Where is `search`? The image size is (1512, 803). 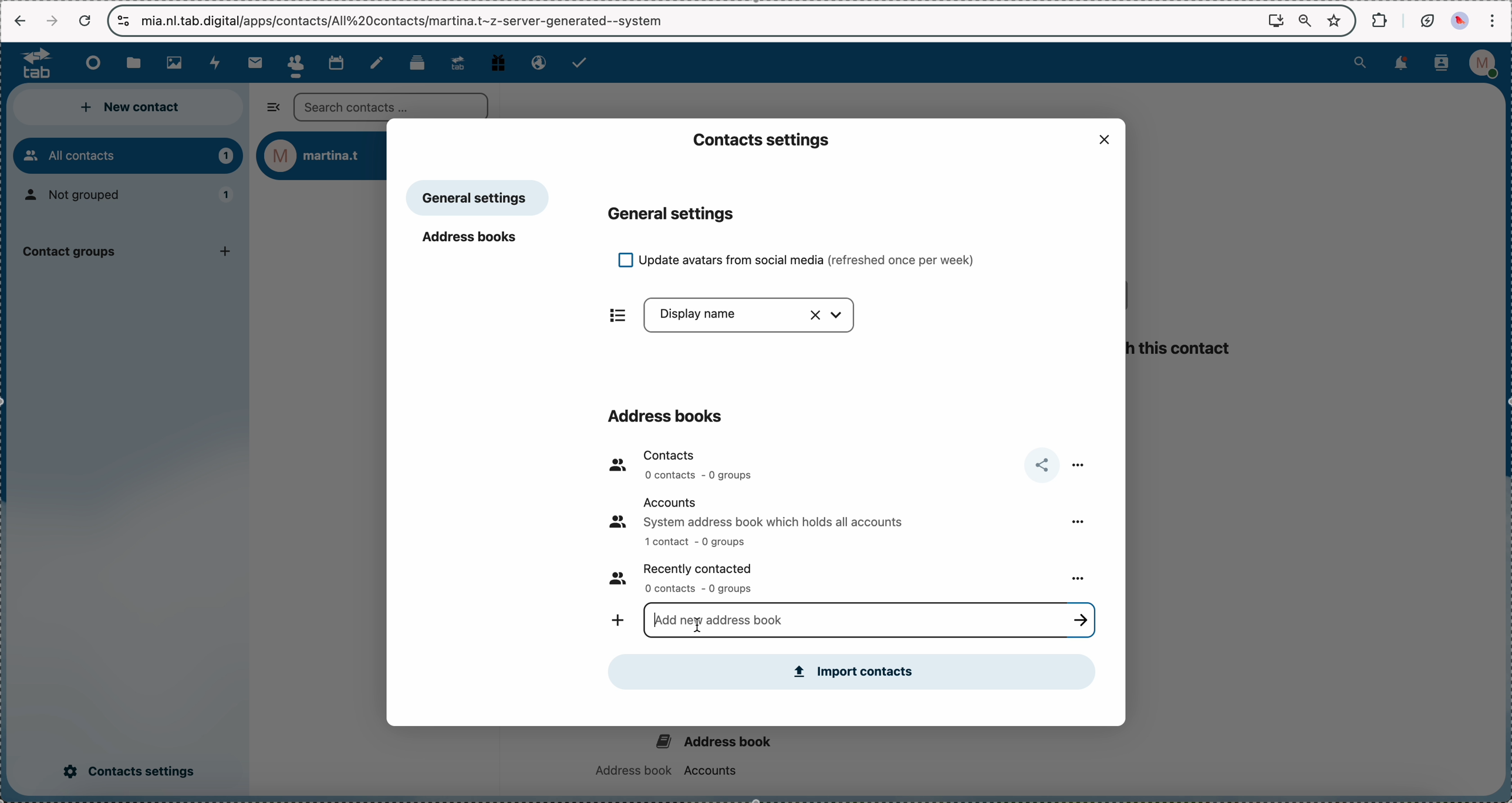
search is located at coordinates (1361, 63).